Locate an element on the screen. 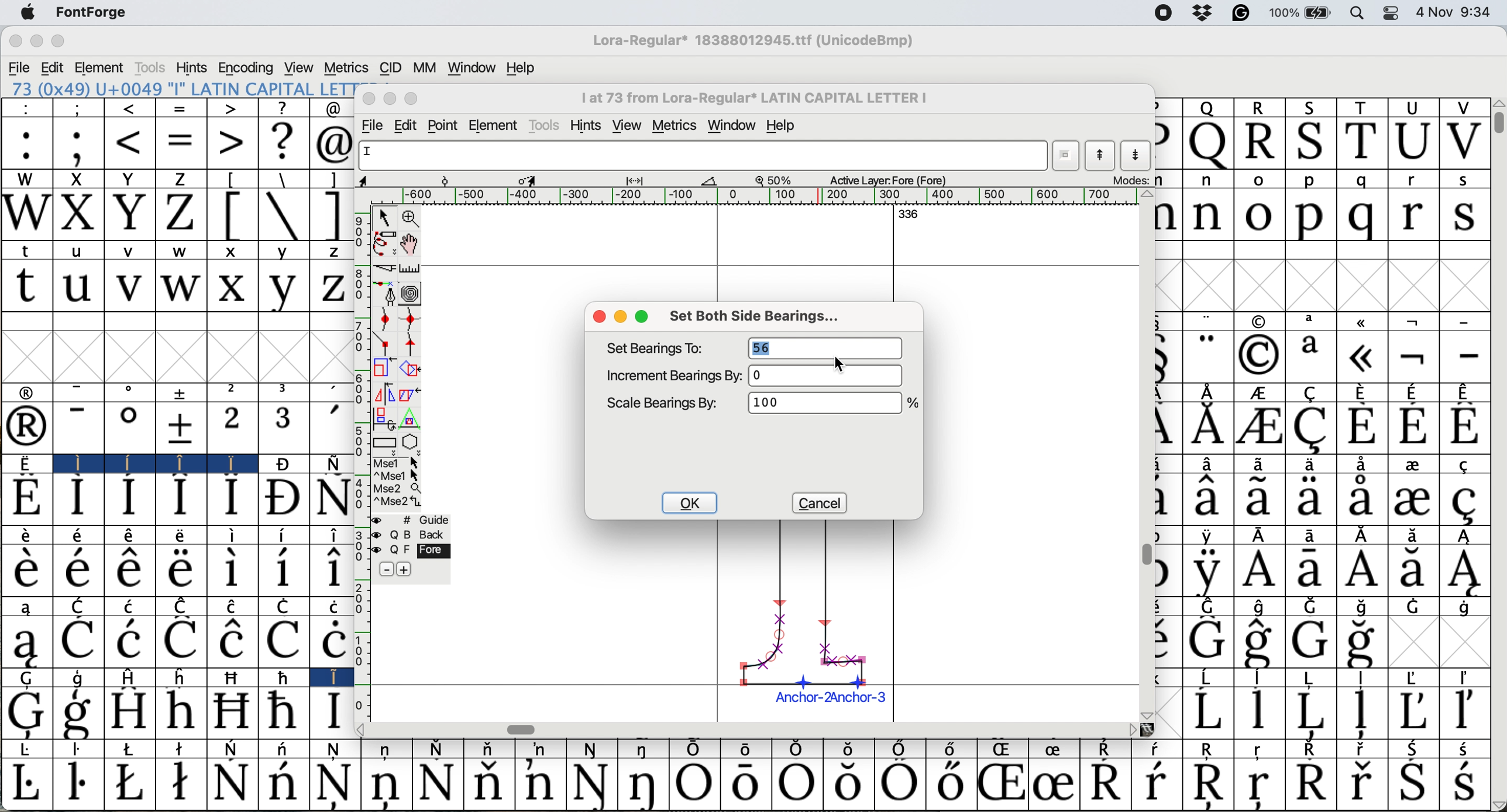 The height and width of the screenshot is (812, 1507). Symbol is located at coordinates (487, 749).